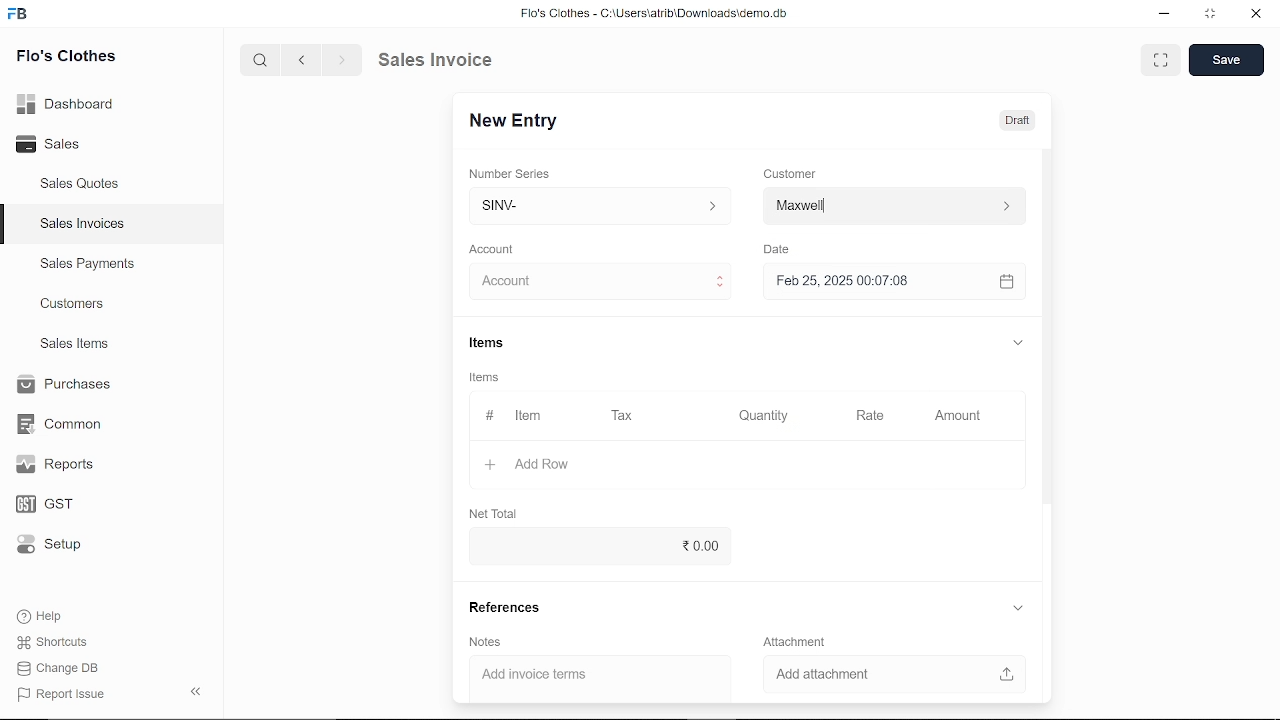 The image size is (1280, 720). What do you see at coordinates (850, 416) in the screenshot?
I see `Rate` at bounding box center [850, 416].